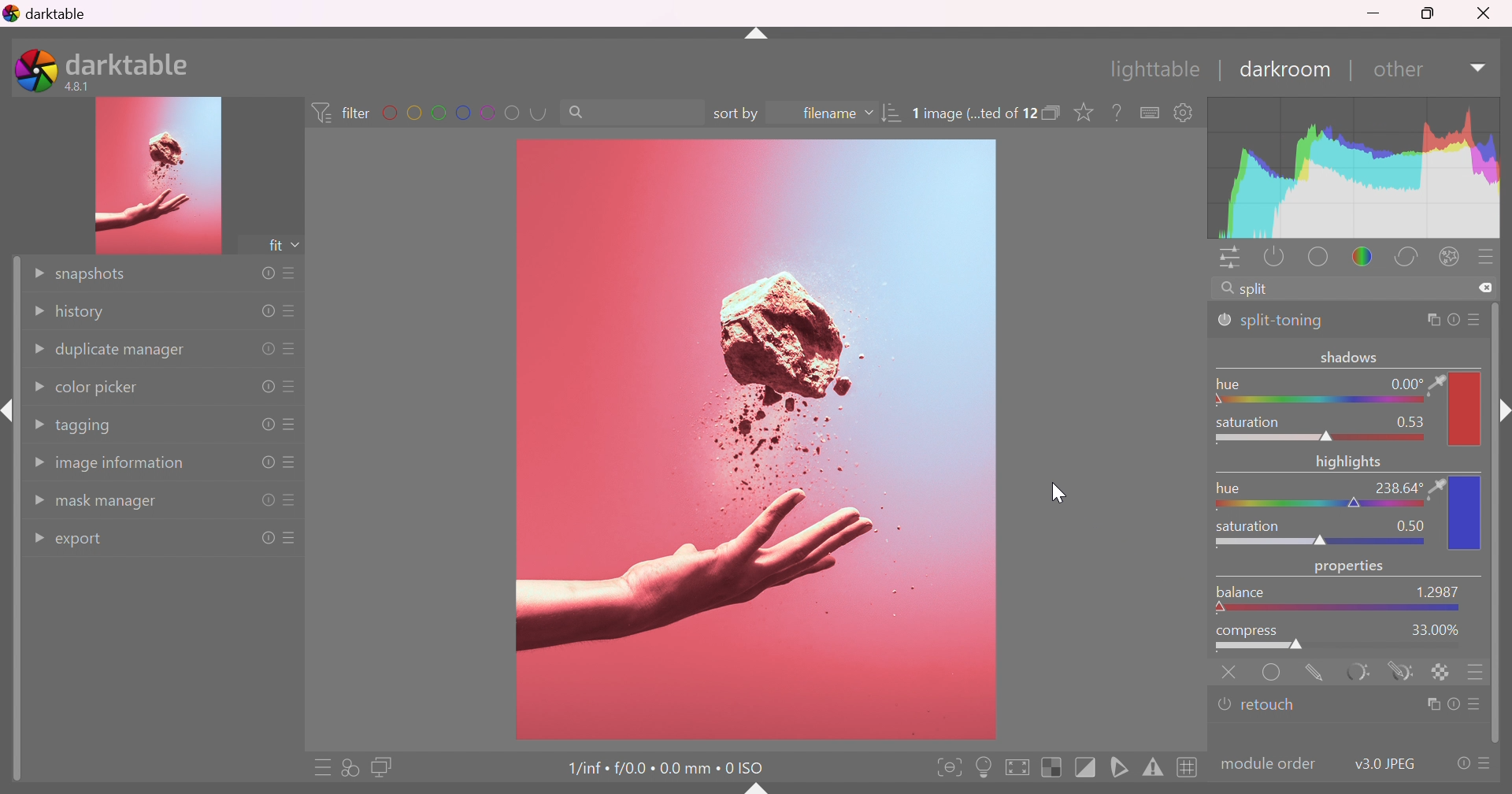  Describe the element at coordinates (292, 540) in the screenshot. I see `presets` at that location.